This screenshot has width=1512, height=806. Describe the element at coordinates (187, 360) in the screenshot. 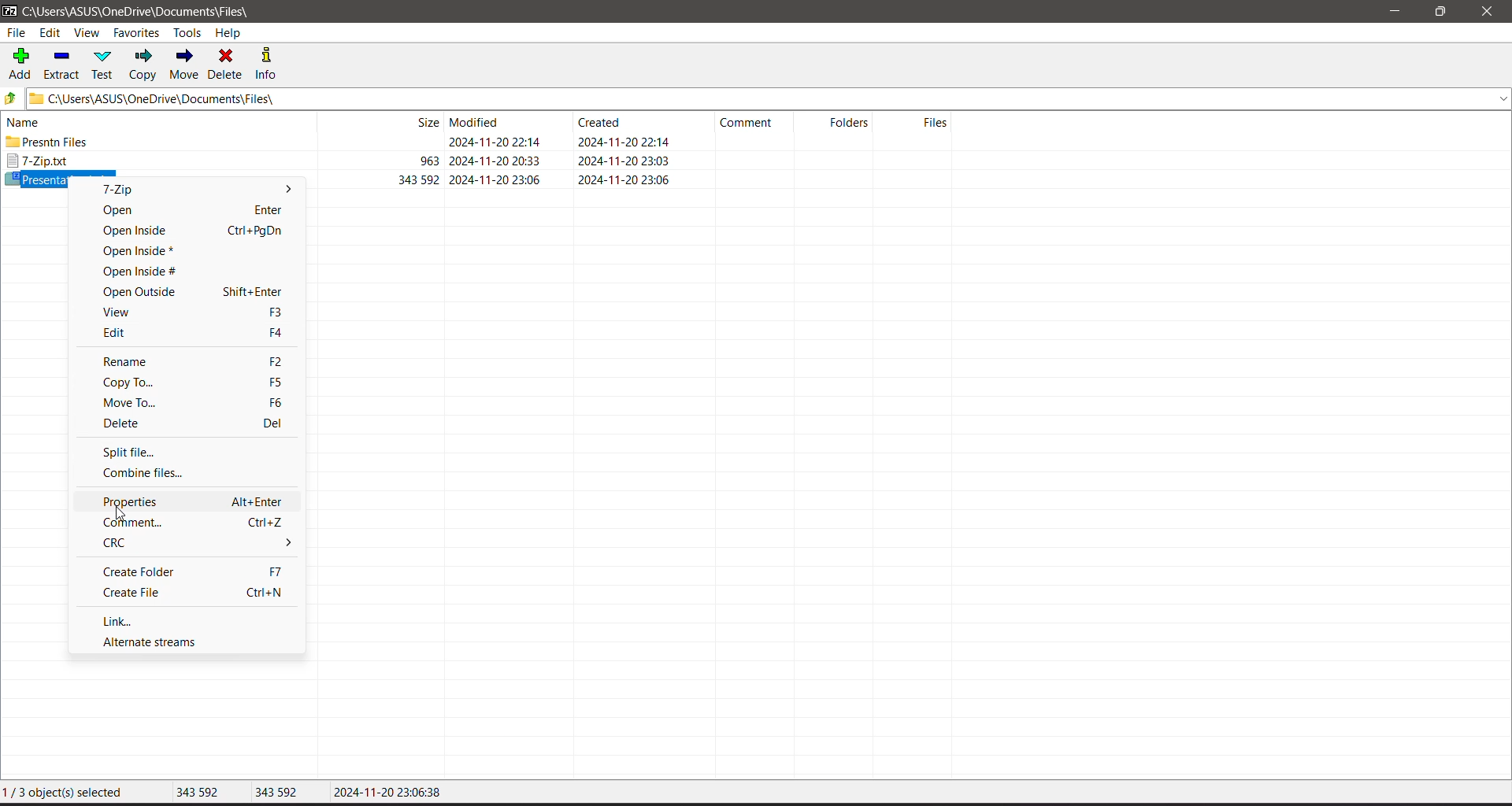

I see `Rename` at that location.